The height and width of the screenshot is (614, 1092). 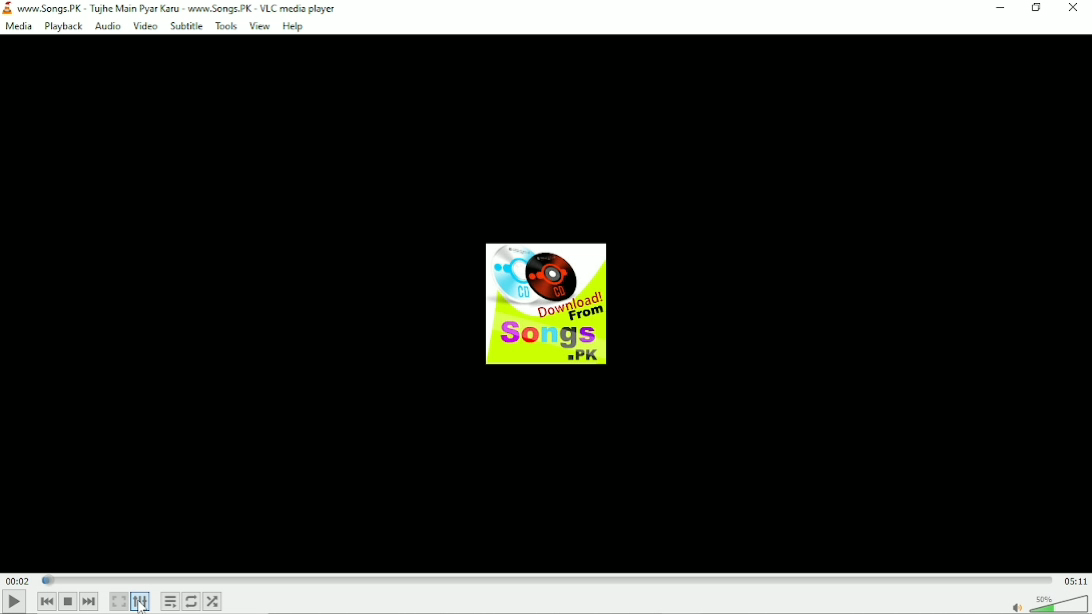 I want to click on Close, so click(x=1074, y=7).